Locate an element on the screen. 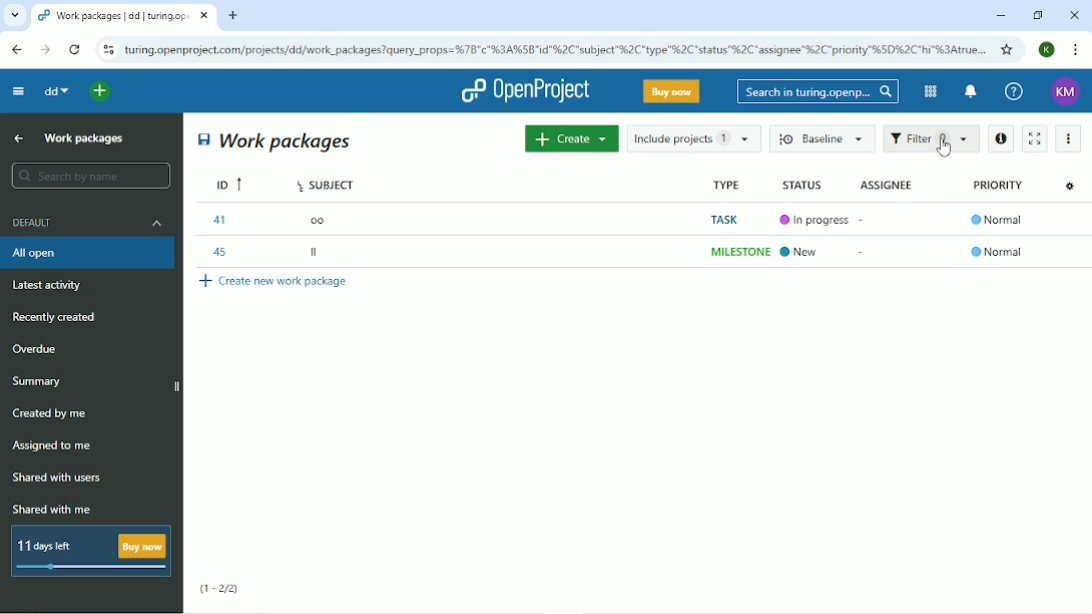  Milestone is located at coordinates (738, 252).